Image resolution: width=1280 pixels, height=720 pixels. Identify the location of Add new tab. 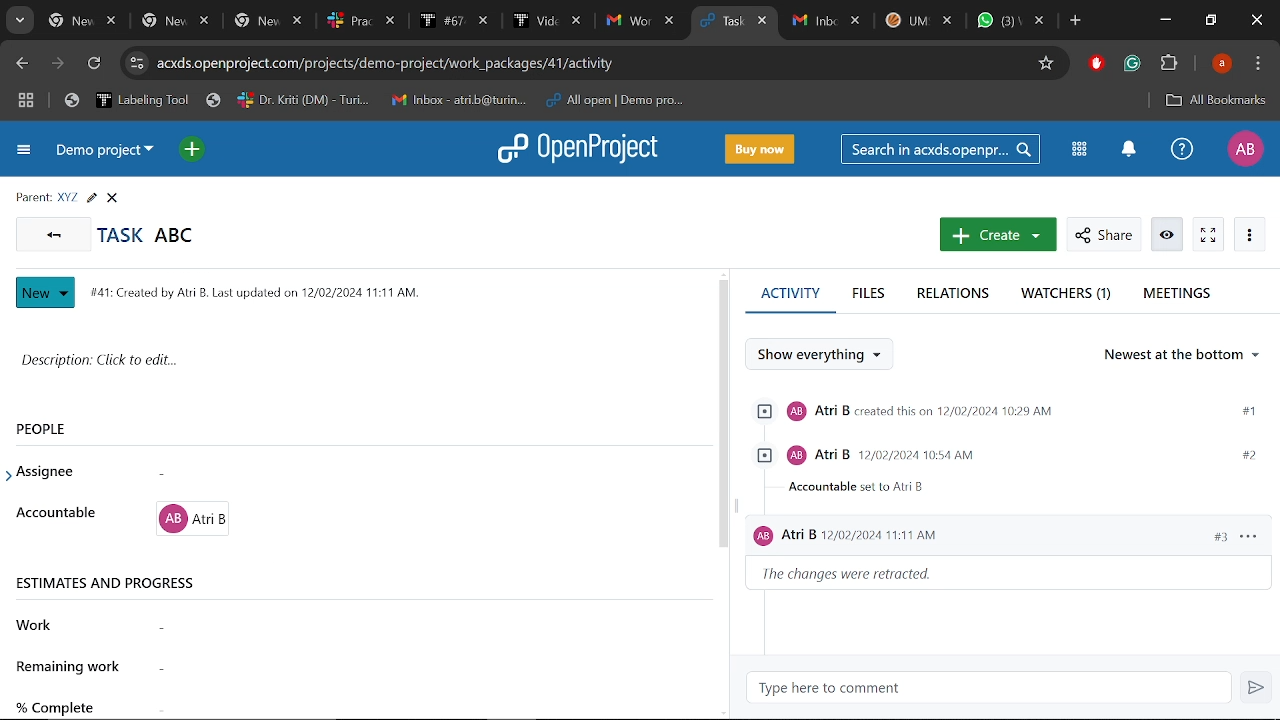
(1076, 23).